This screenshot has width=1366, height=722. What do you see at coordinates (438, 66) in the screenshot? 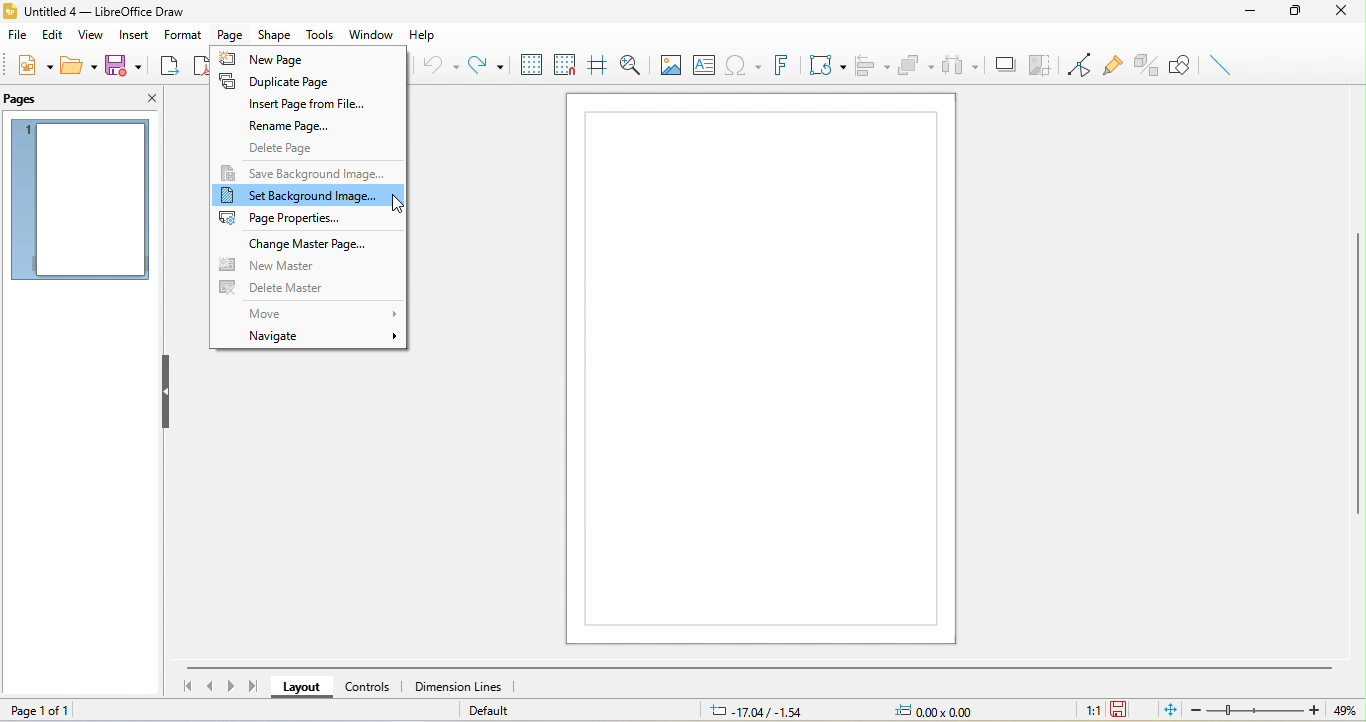
I see `undo` at bounding box center [438, 66].